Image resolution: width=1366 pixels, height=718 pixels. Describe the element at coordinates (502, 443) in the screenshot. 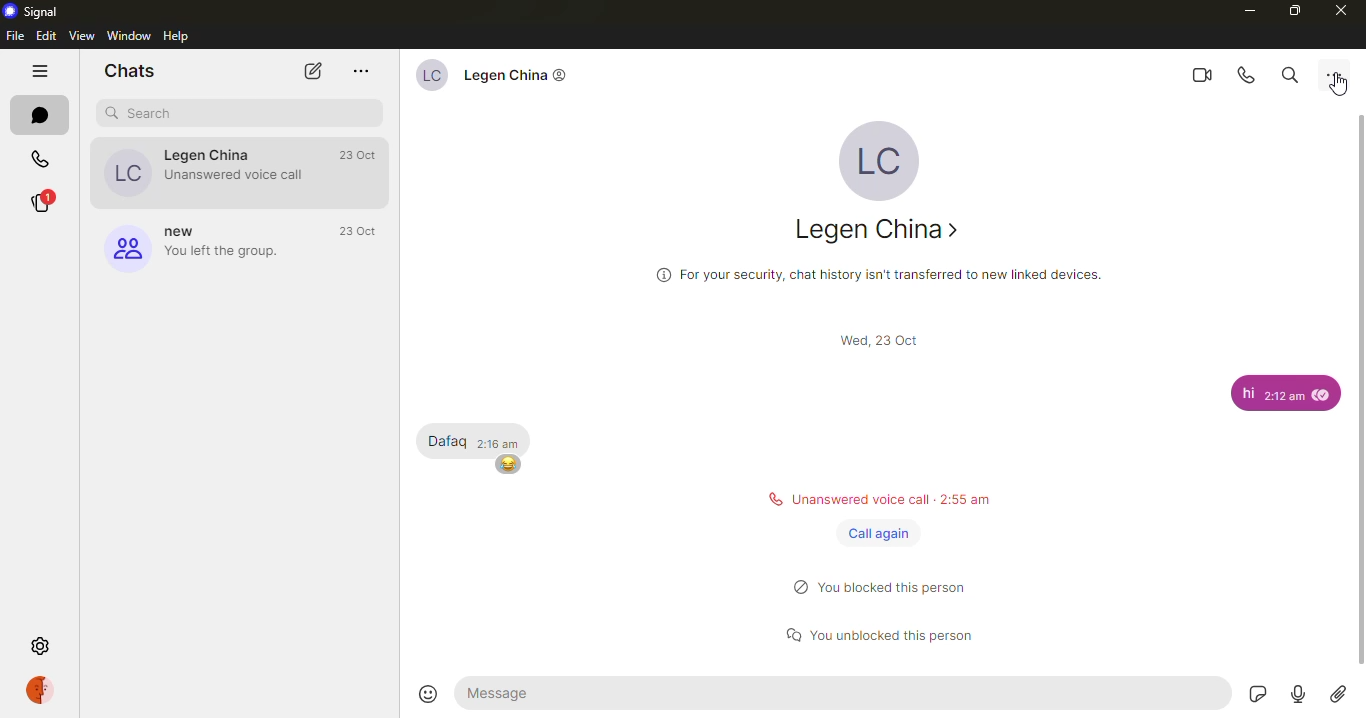

I see `time` at that location.